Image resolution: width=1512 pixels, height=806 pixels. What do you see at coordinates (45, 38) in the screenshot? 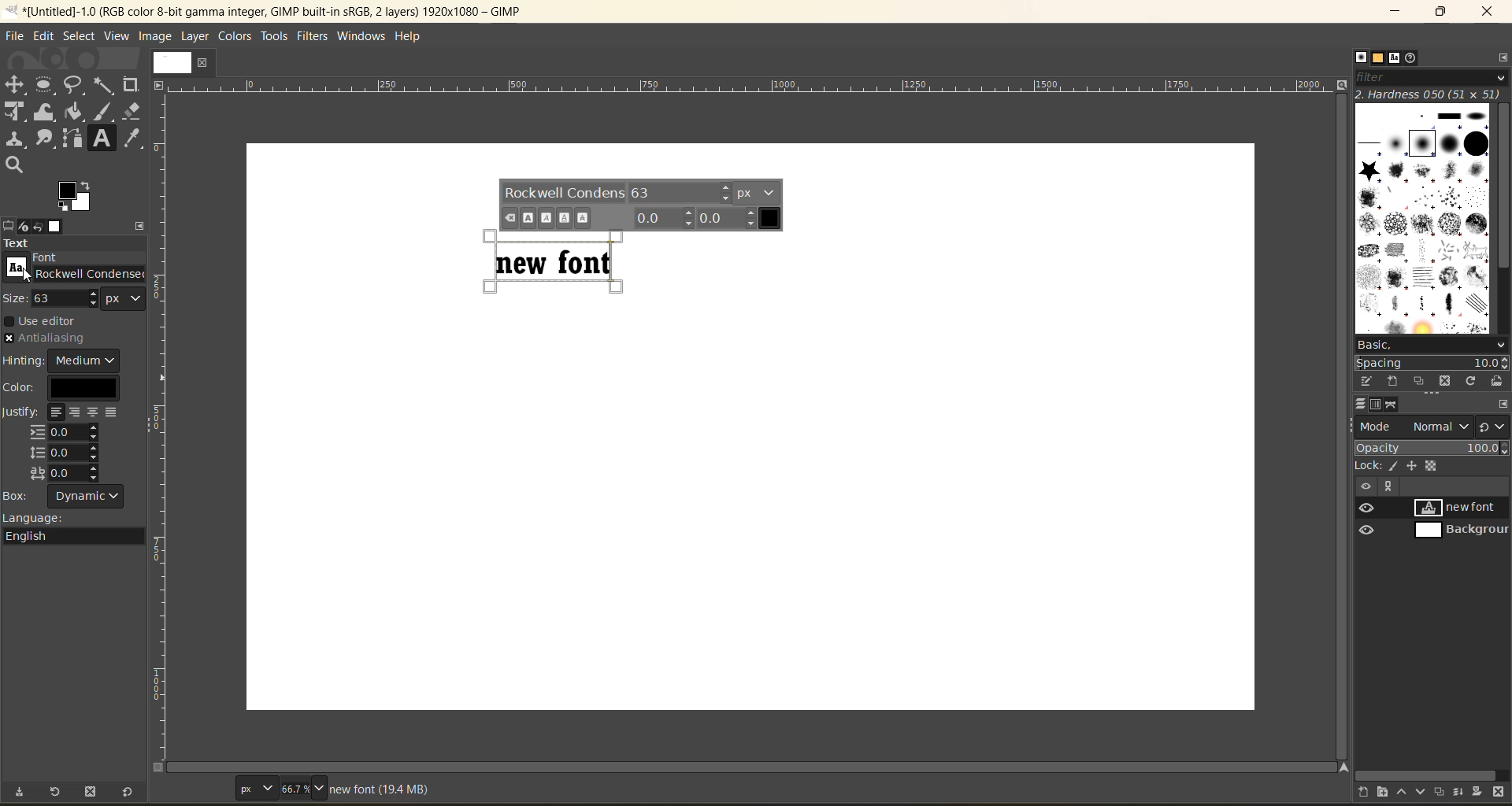
I see `edit` at bounding box center [45, 38].